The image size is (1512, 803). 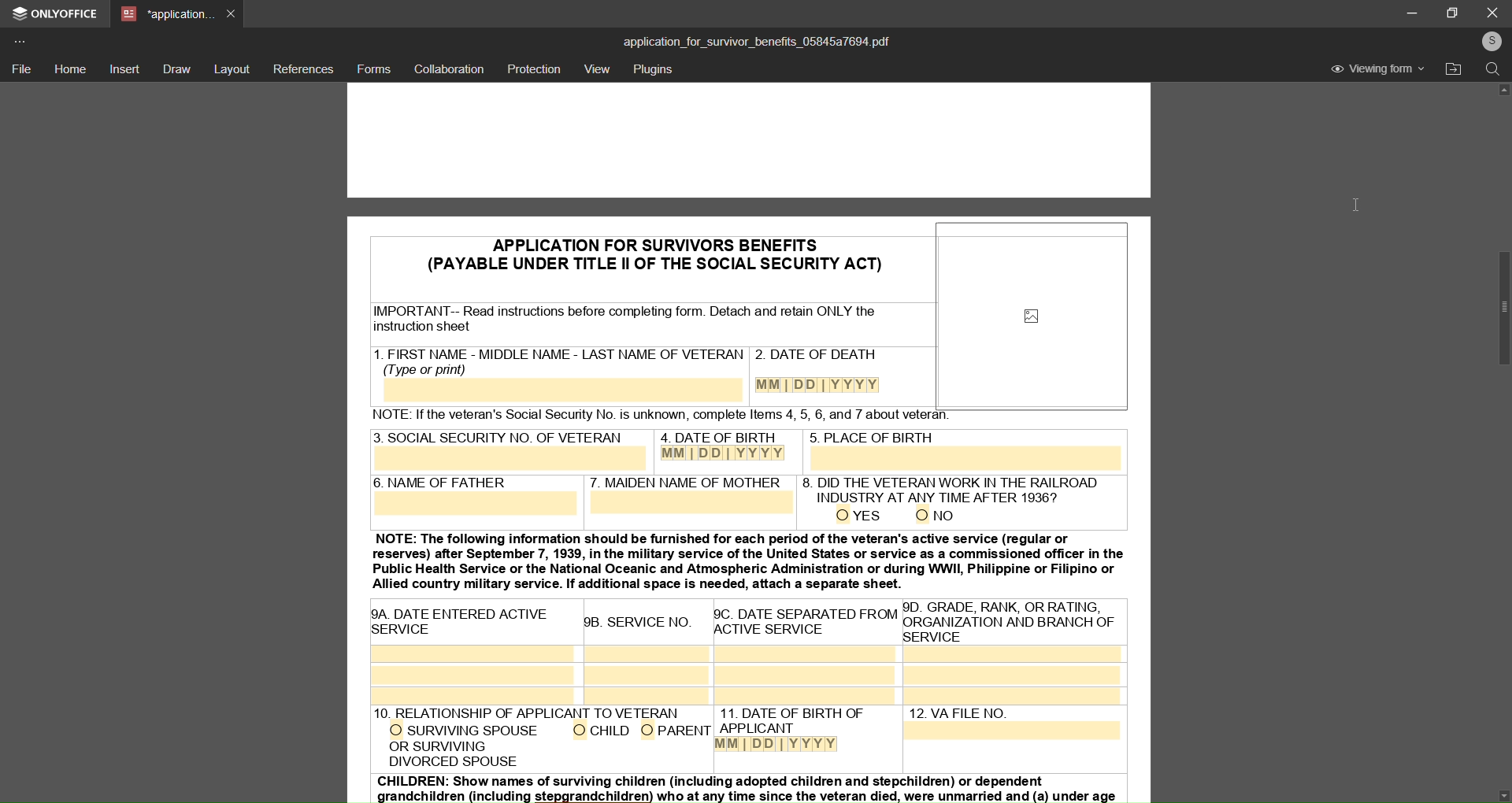 I want to click on up, so click(x=1505, y=94).